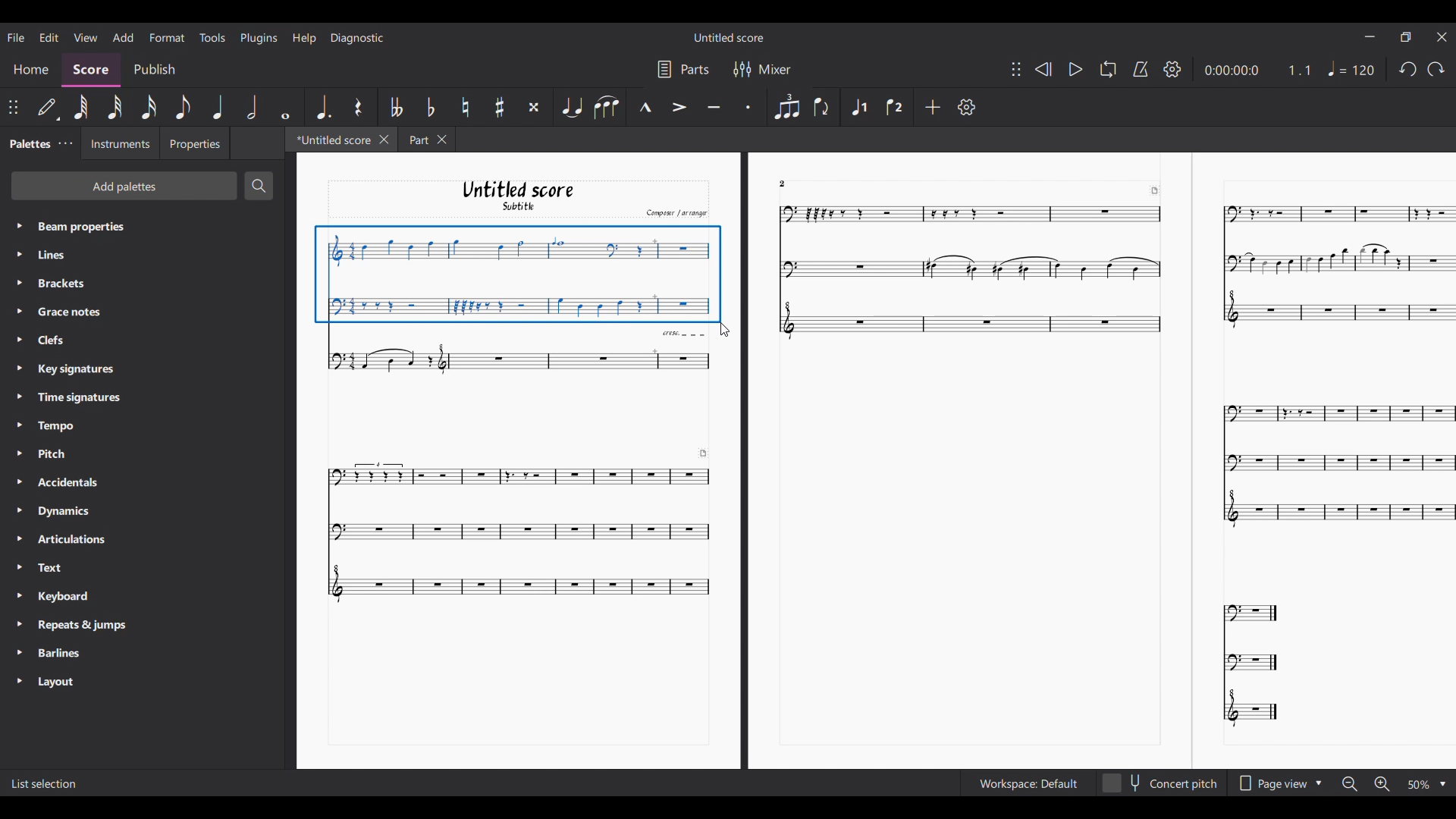  I want to click on , so click(17, 400).